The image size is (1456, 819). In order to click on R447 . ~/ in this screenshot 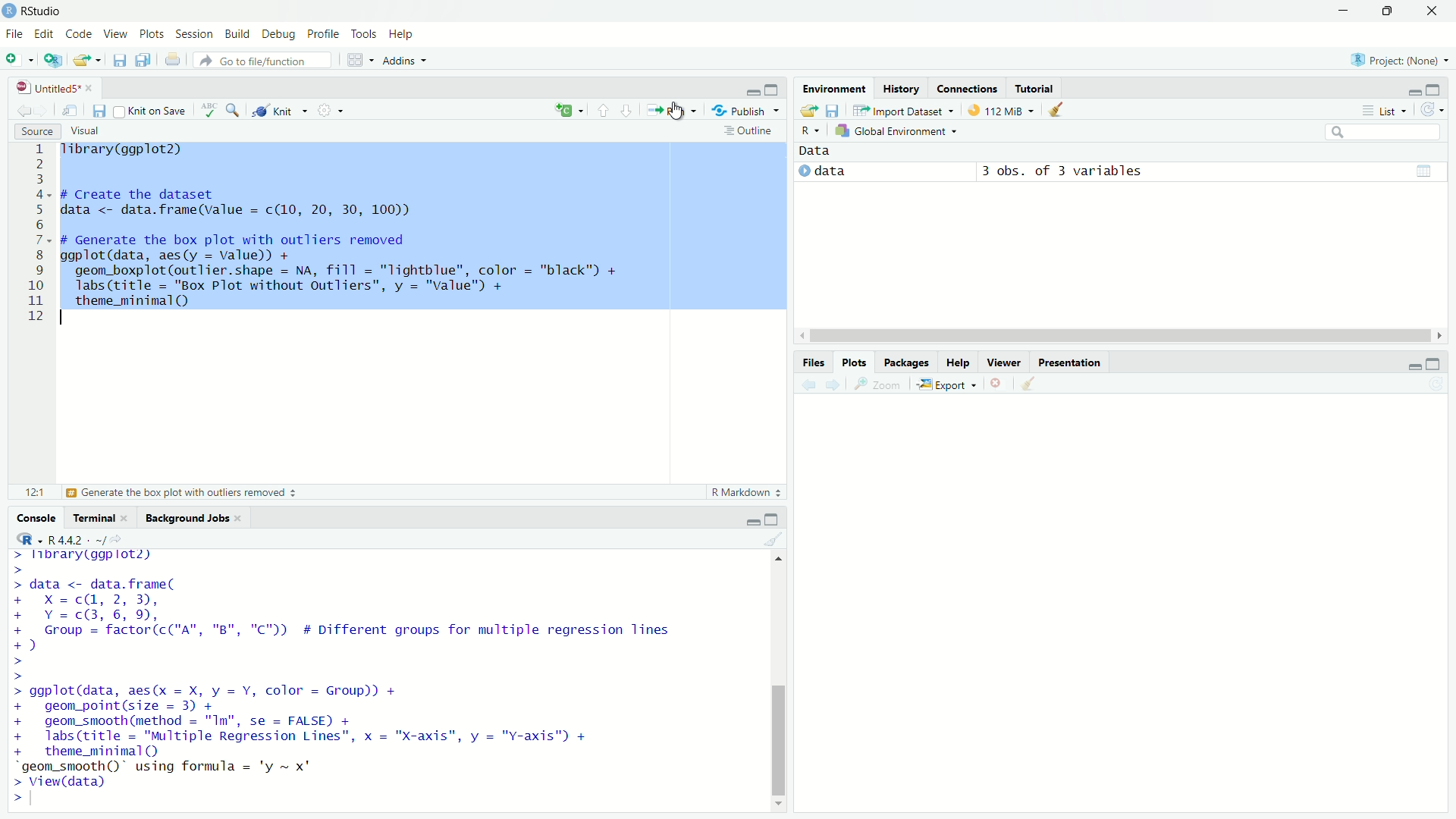, I will do `click(62, 537)`.